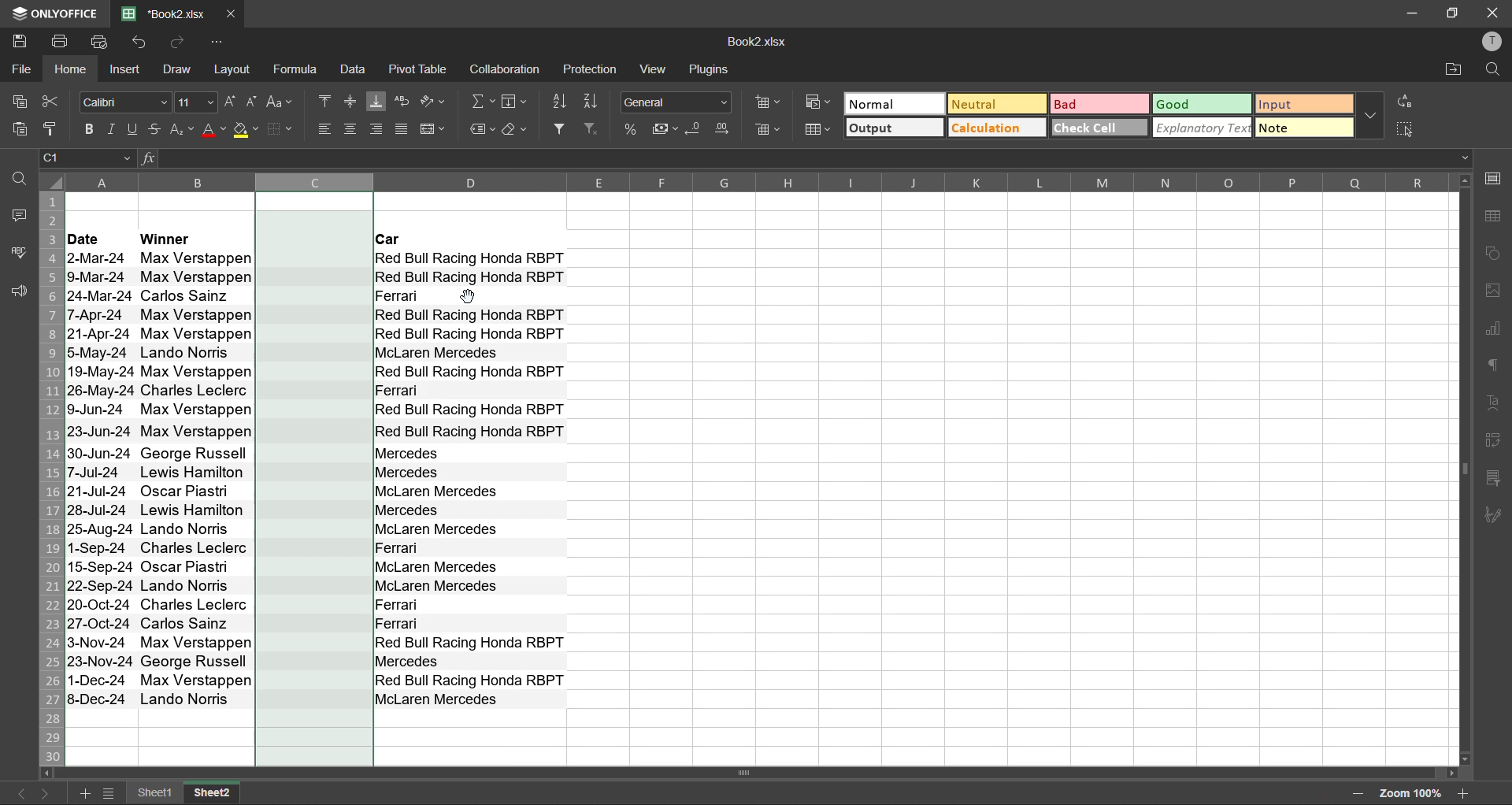 The image size is (1512, 805). Describe the element at coordinates (632, 130) in the screenshot. I see `percent` at that location.